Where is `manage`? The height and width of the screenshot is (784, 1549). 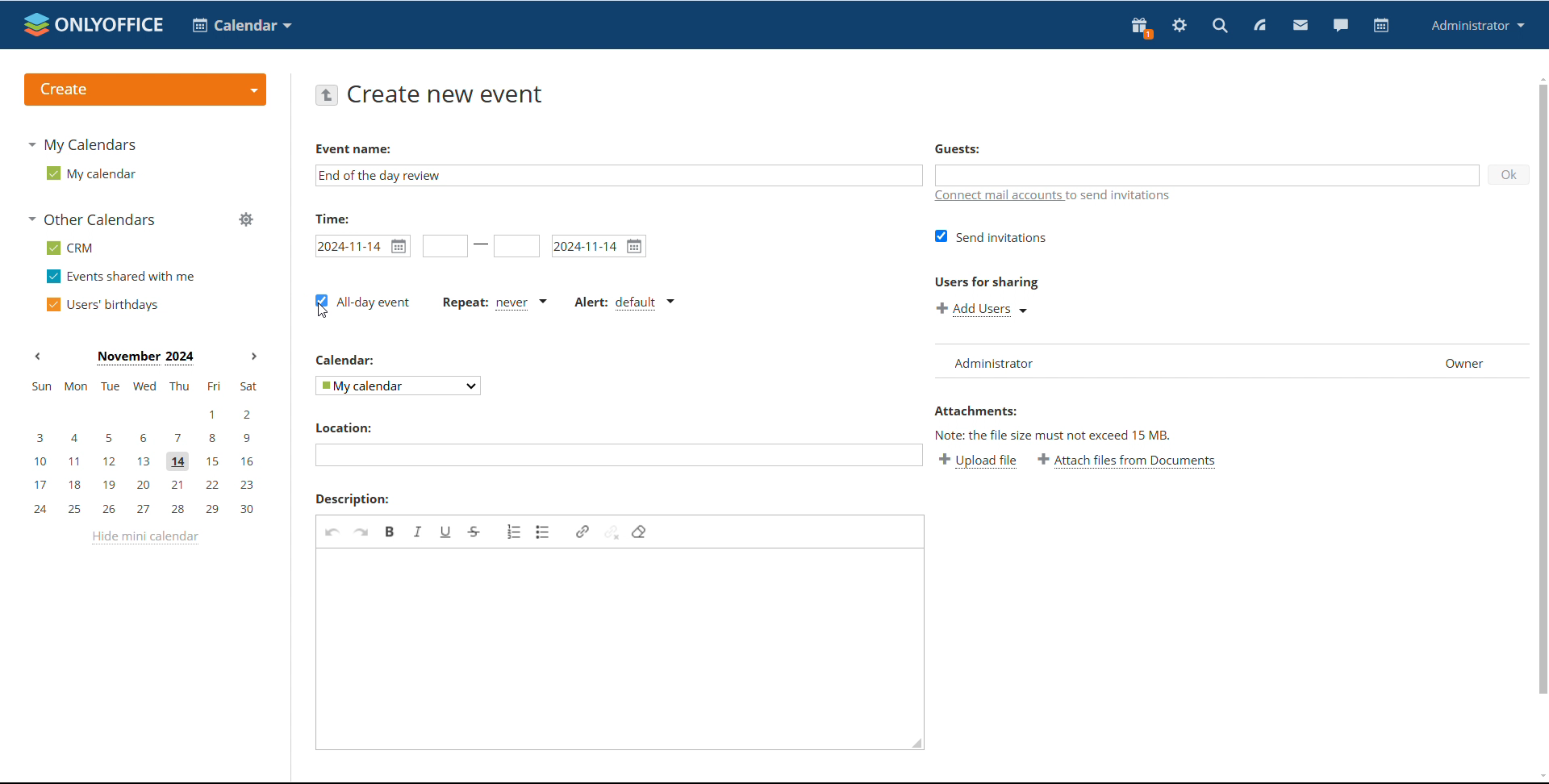 manage is located at coordinates (247, 221).